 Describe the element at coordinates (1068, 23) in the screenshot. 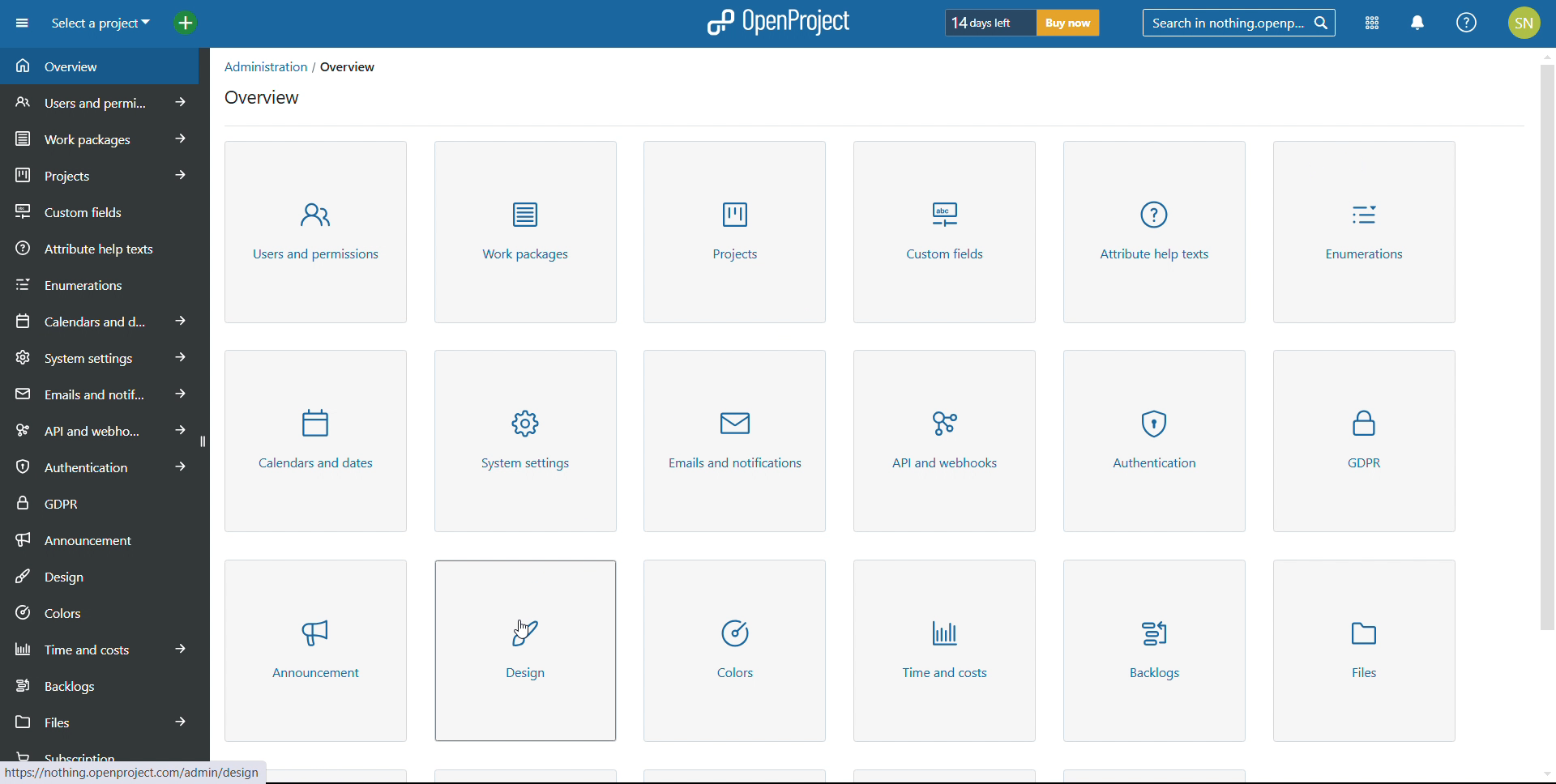

I see `buy now` at that location.